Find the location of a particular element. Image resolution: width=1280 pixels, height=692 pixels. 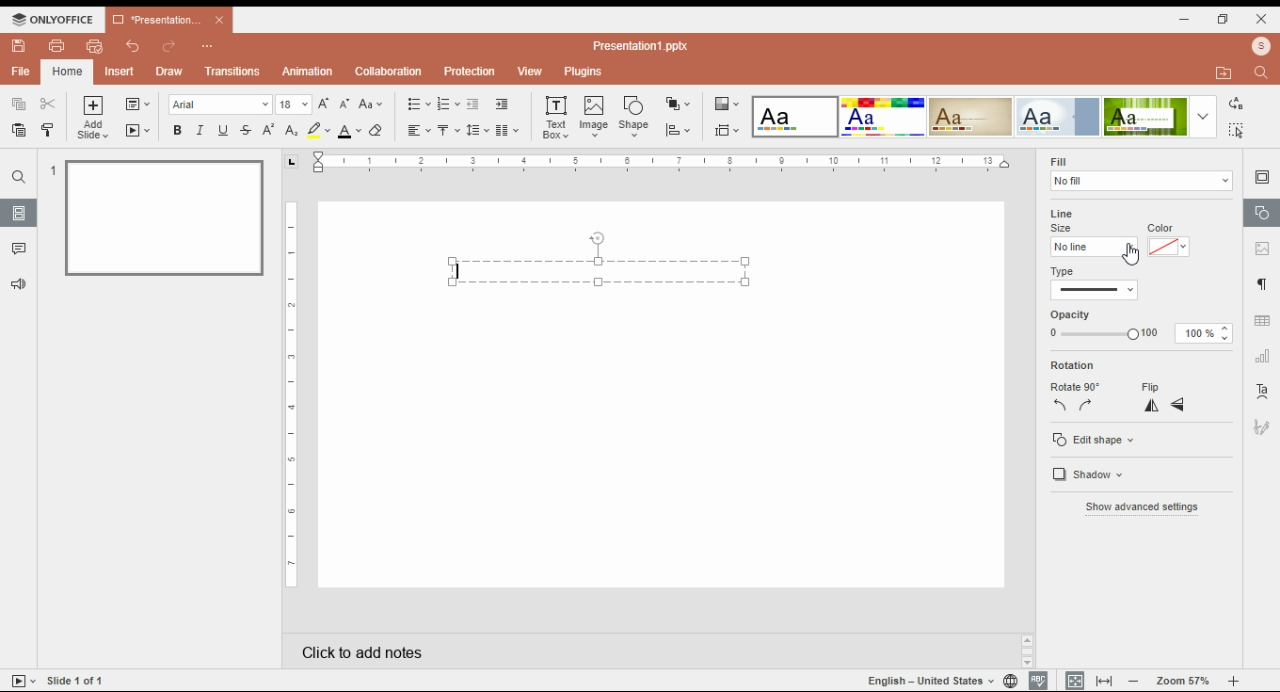

100% is located at coordinates (1196, 333).